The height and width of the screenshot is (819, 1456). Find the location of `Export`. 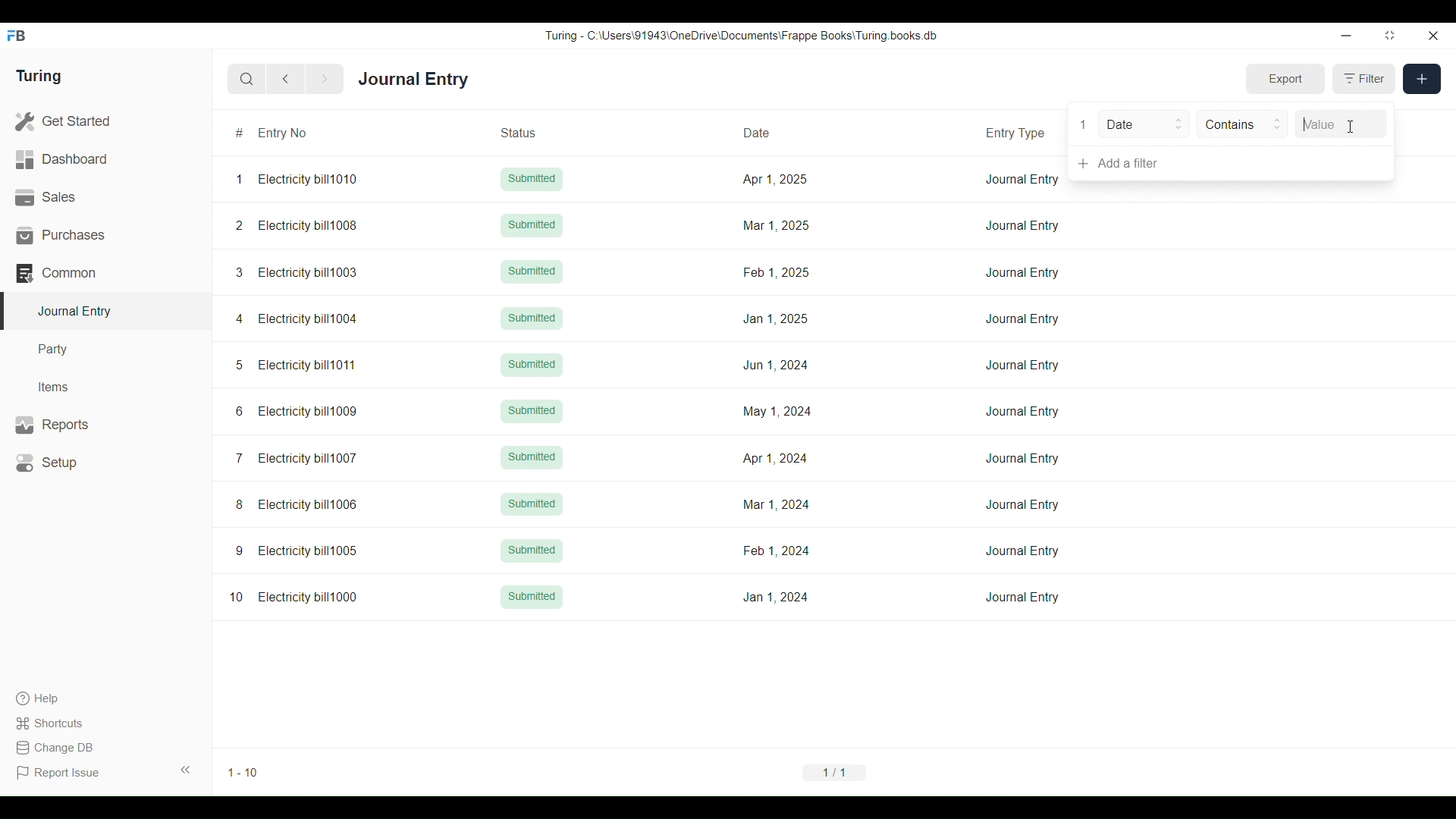

Export is located at coordinates (1286, 79).